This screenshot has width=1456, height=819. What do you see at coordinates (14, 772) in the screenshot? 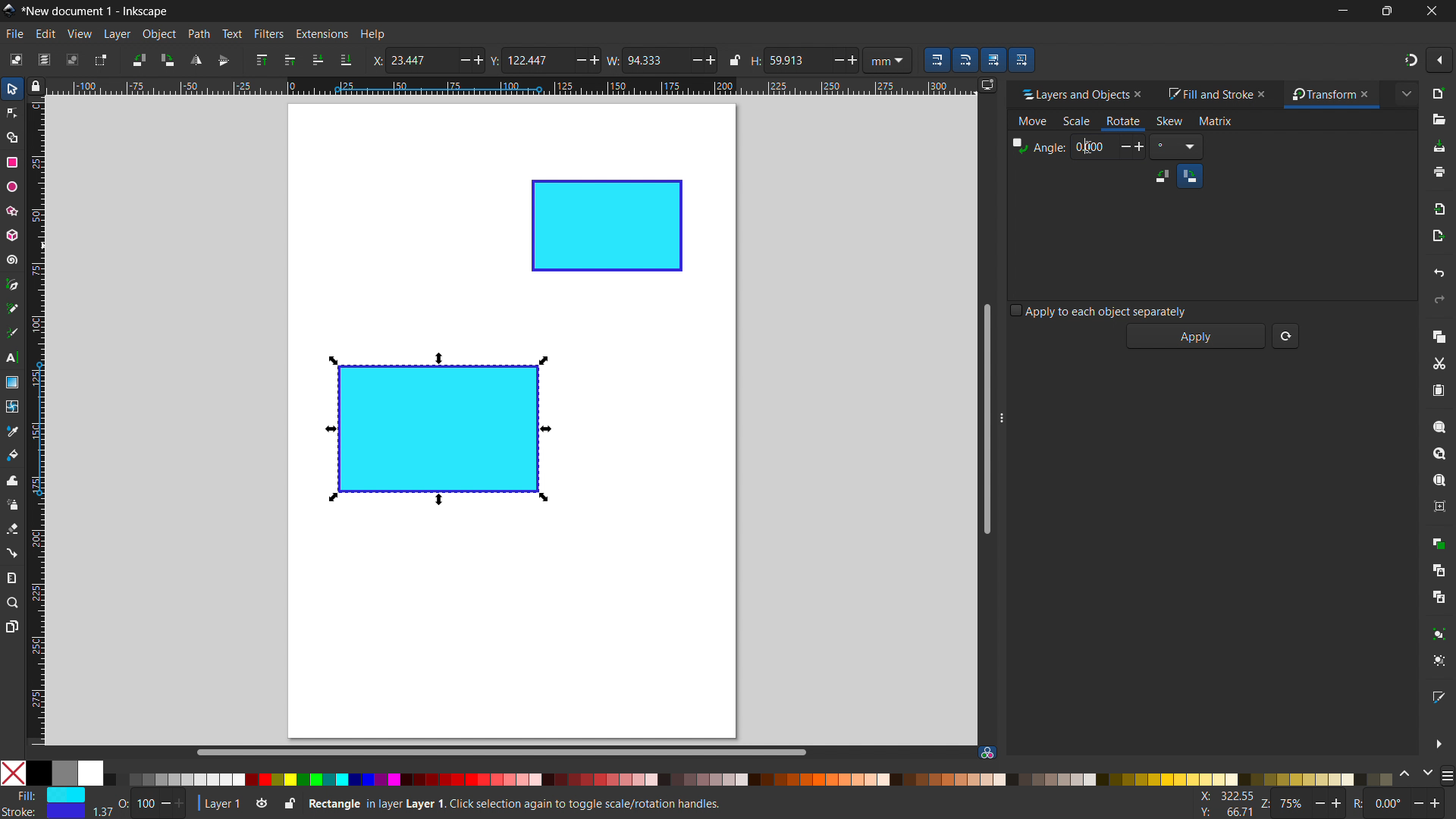
I see `No color` at bounding box center [14, 772].